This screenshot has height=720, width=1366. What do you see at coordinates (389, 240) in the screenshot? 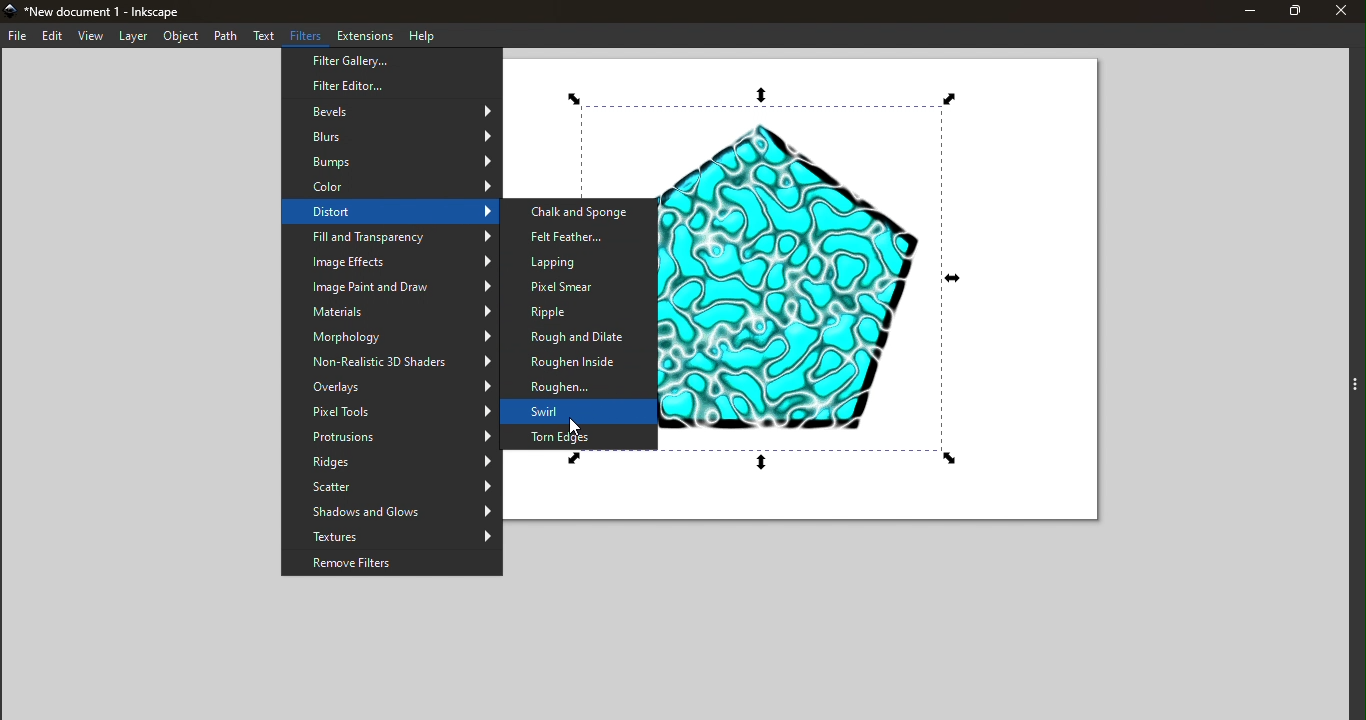
I see `Fill and Transparency` at bounding box center [389, 240].